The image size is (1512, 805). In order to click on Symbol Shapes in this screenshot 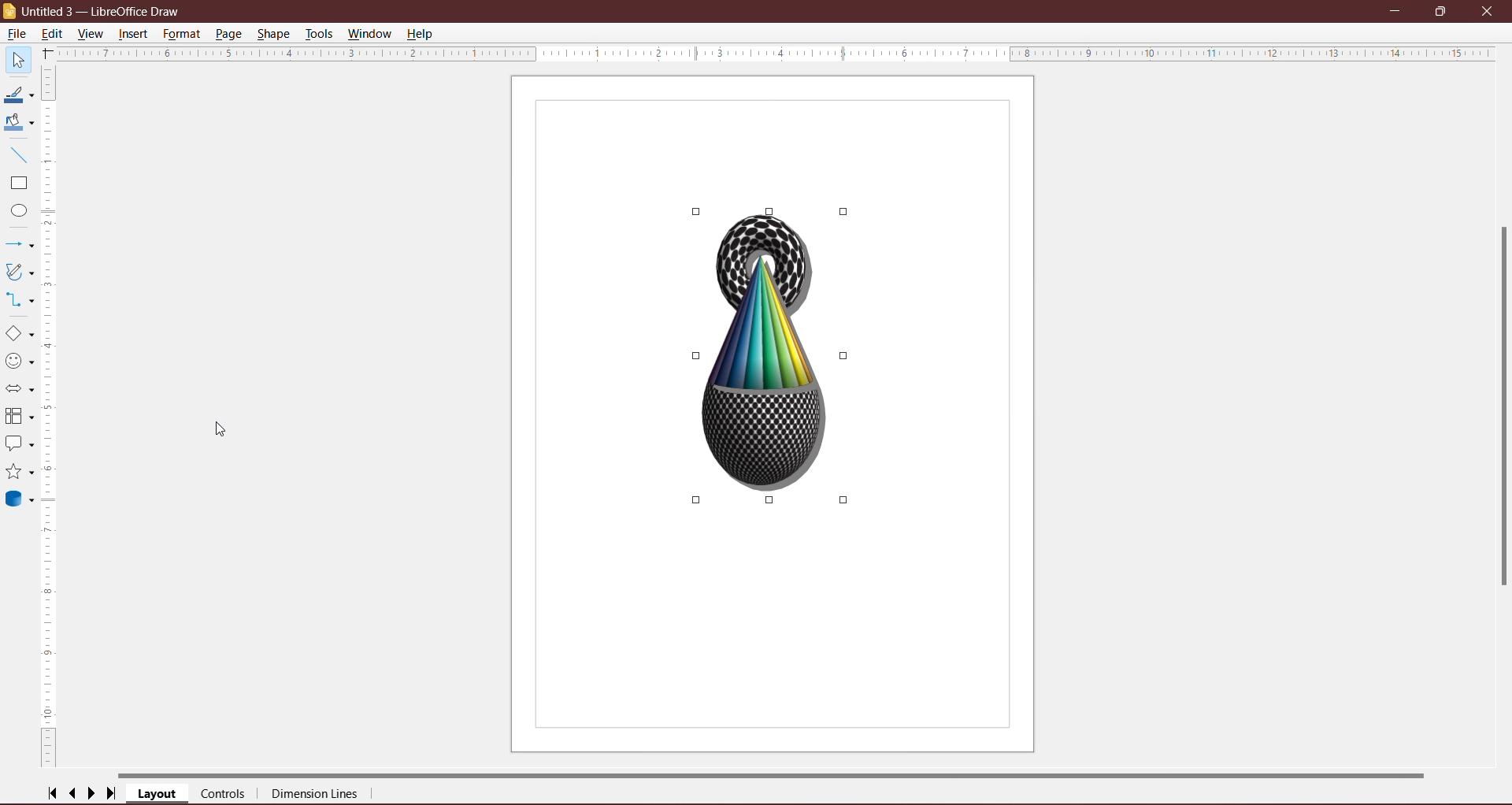, I will do `click(20, 361)`.